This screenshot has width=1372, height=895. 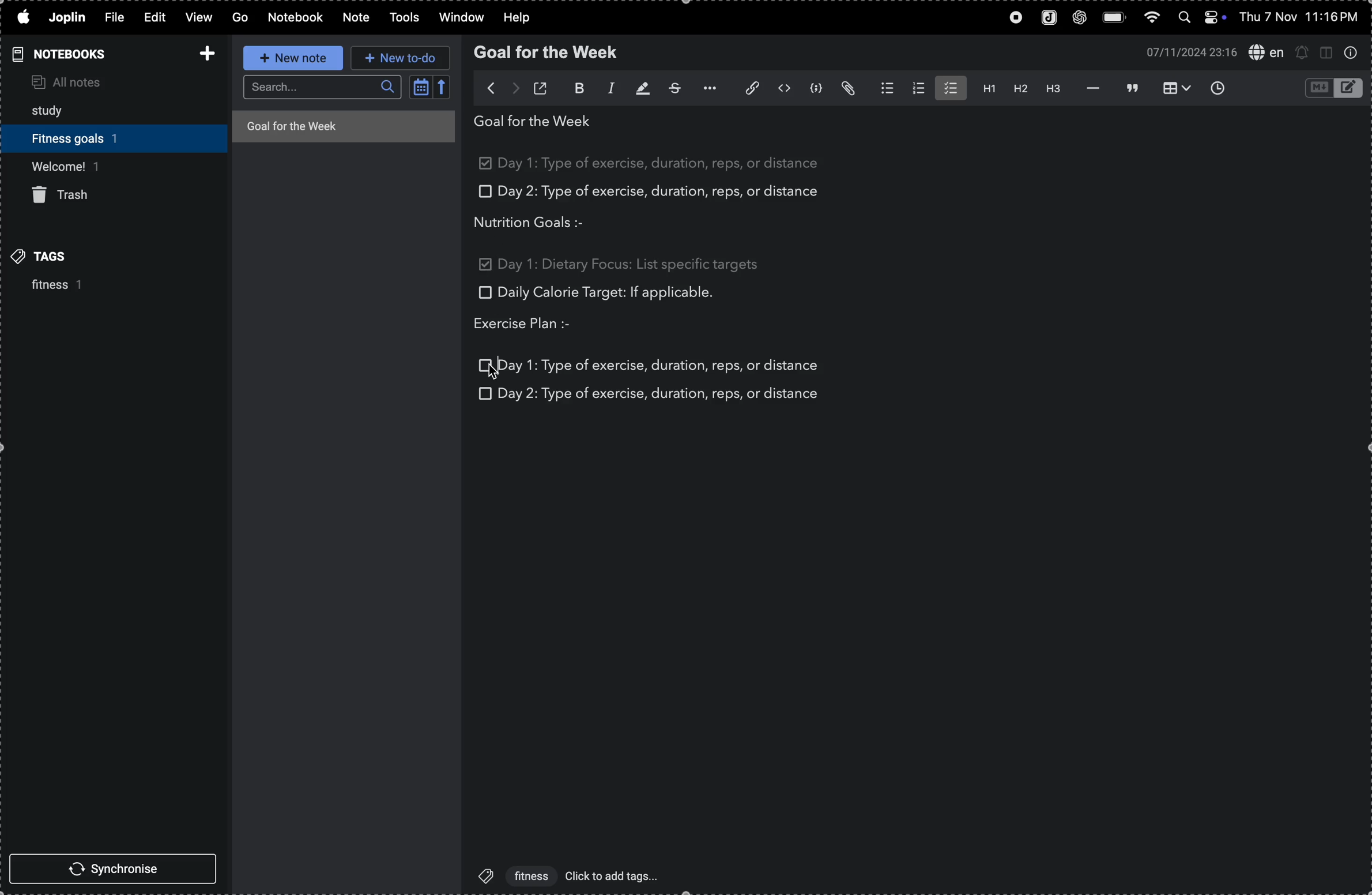 What do you see at coordinates (1326, 54) in the screenshot?
I see `toggle editor layout` at bounding box center [1326, 54].